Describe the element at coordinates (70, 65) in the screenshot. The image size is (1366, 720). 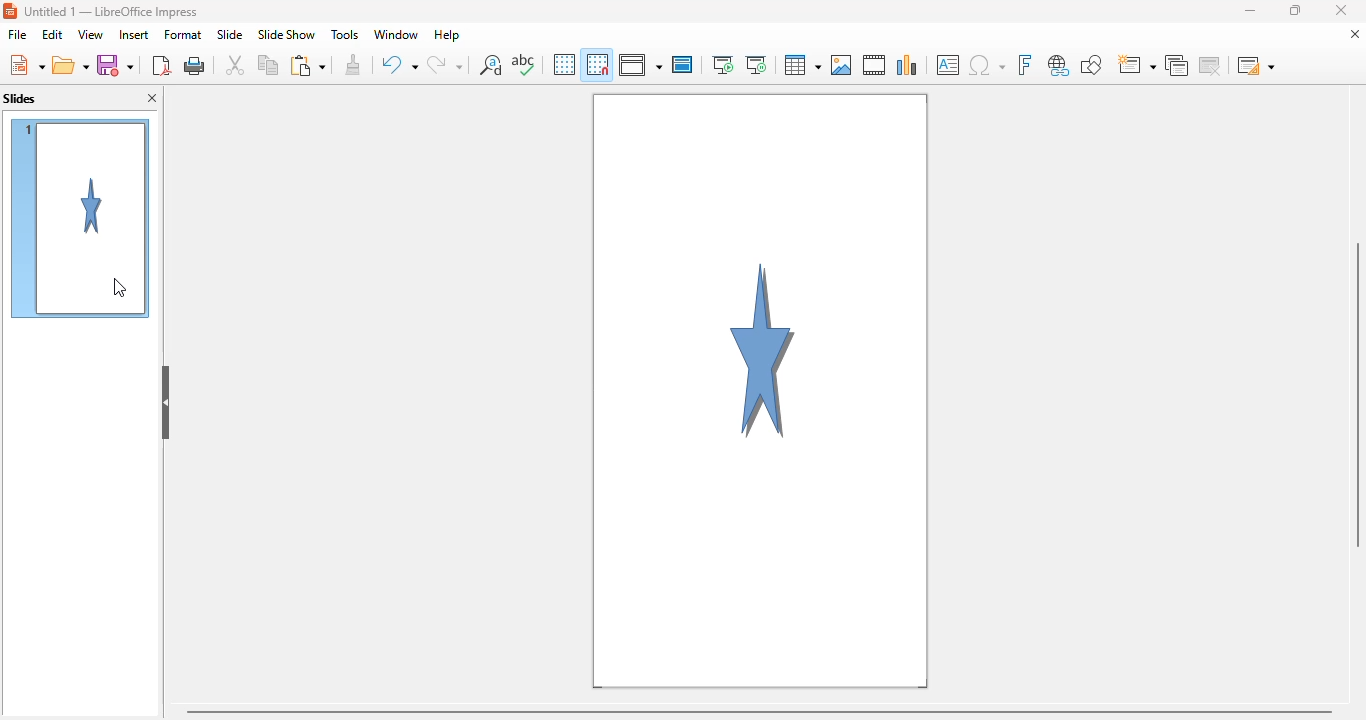
I see `open` at that location.